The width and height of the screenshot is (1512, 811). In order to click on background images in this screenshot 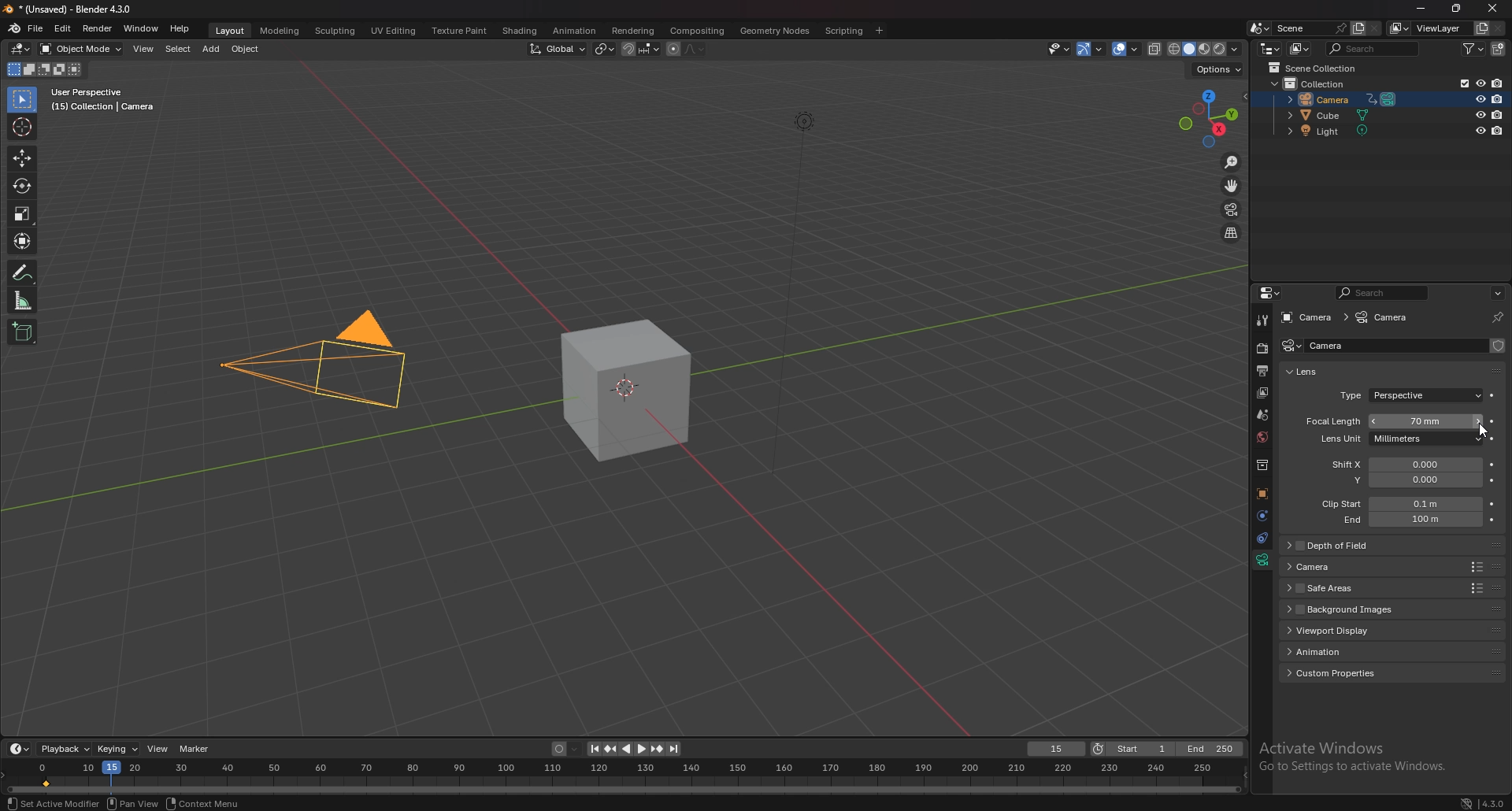, I will do `click(1351, 609)`.